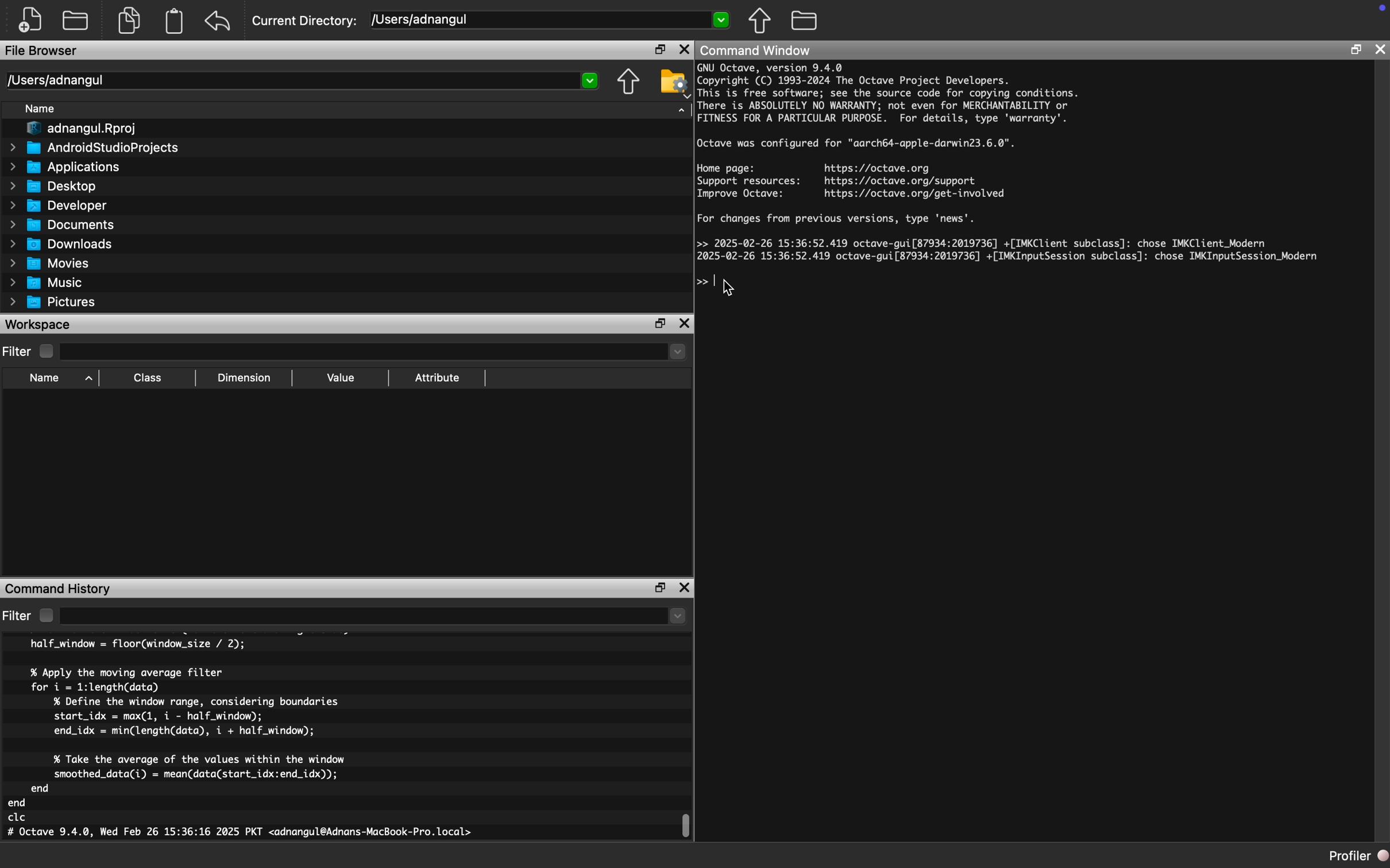 This screenshot has width=1390, height=868. Describe the element at coordinates (31, 20) in the screenshot. I see `New File` at that location.